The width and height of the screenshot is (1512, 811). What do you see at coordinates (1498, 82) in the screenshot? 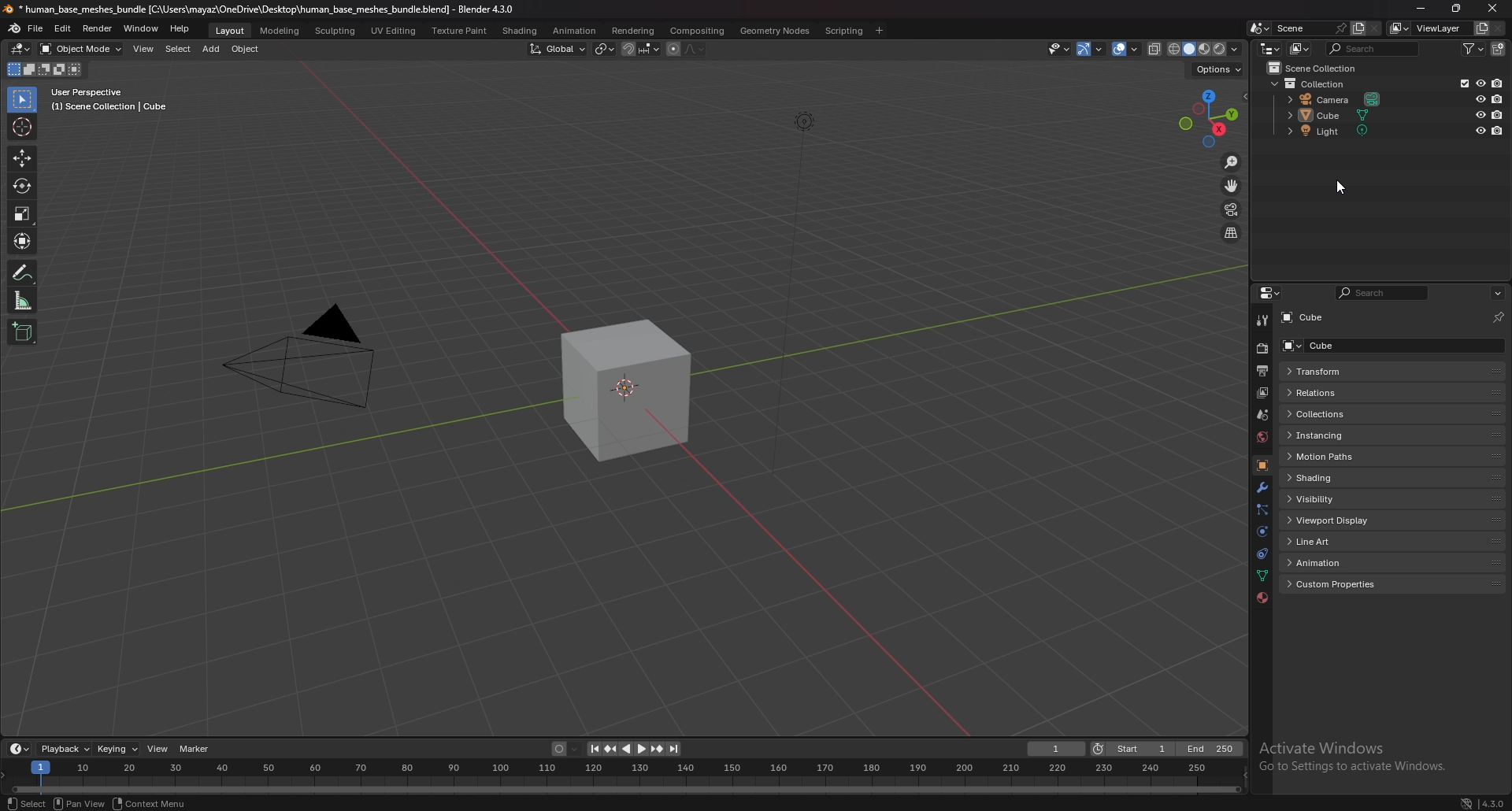
I see `disable in renders` at bounding box center [1498, 82].